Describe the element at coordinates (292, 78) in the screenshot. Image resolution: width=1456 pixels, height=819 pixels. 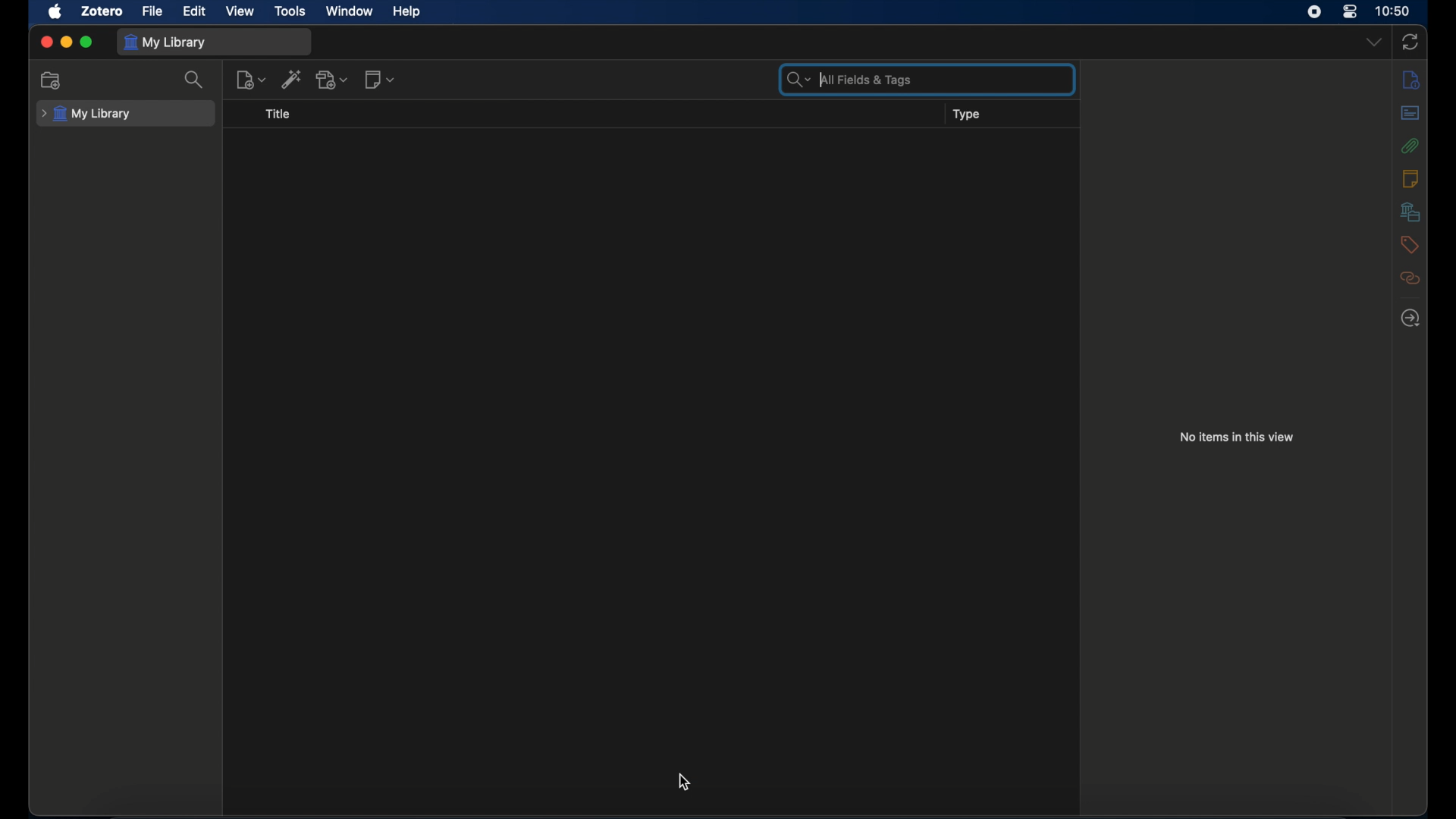
I see `add item by identifier` at that location.